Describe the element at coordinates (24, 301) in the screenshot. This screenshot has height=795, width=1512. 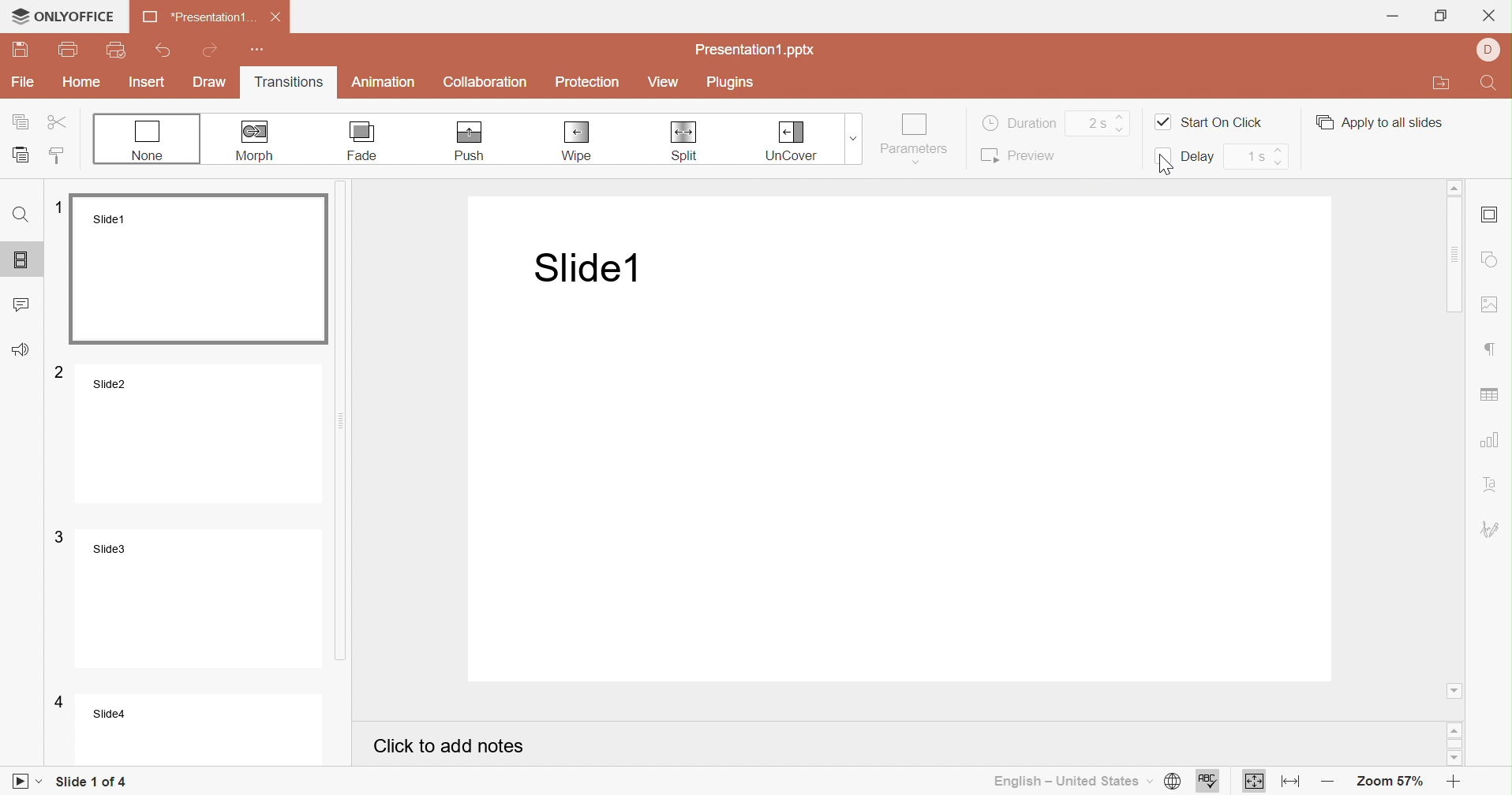
I see `Comments` at that location.